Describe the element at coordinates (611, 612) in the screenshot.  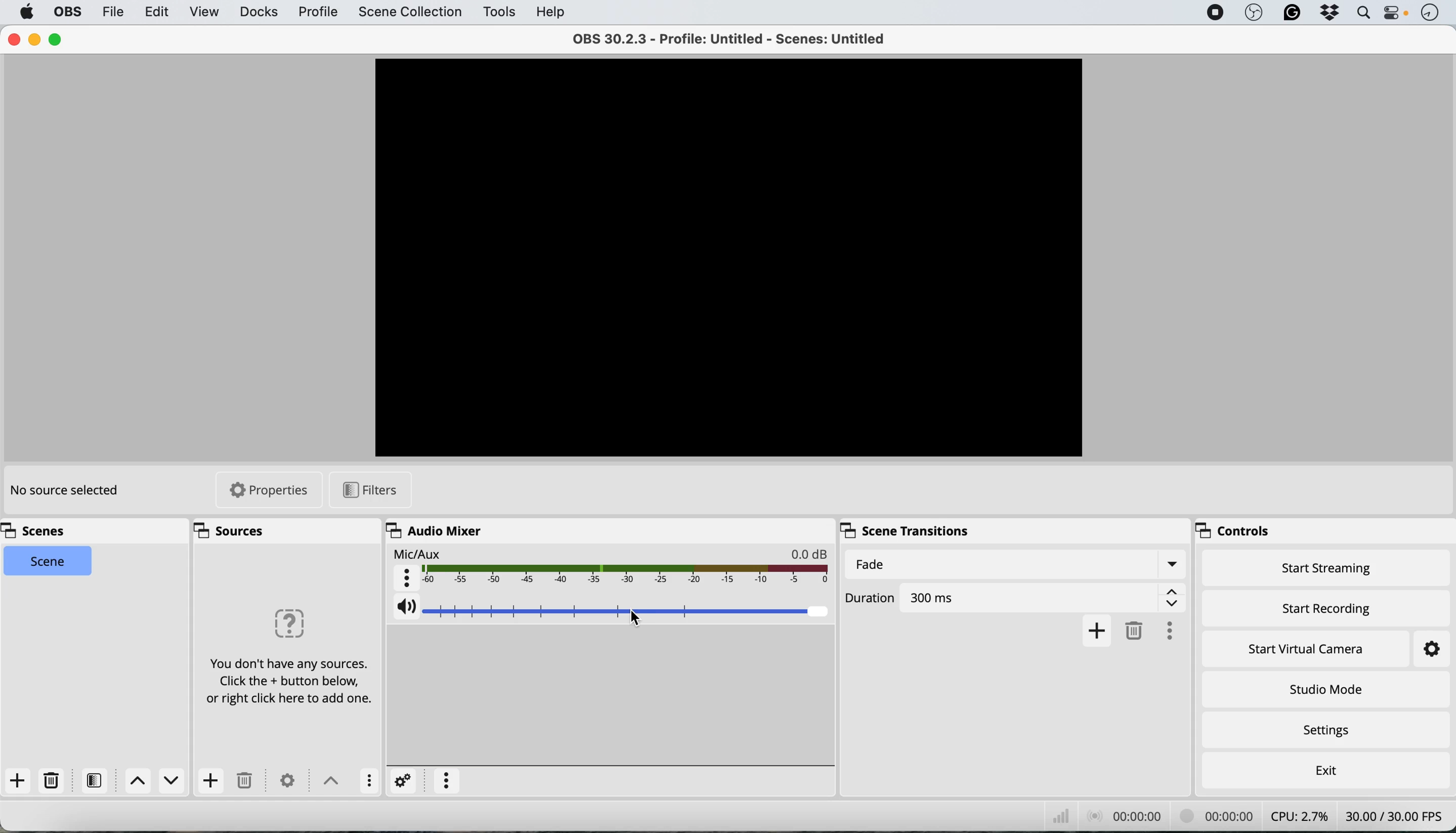
I see `mic aux audio volume` at that location.